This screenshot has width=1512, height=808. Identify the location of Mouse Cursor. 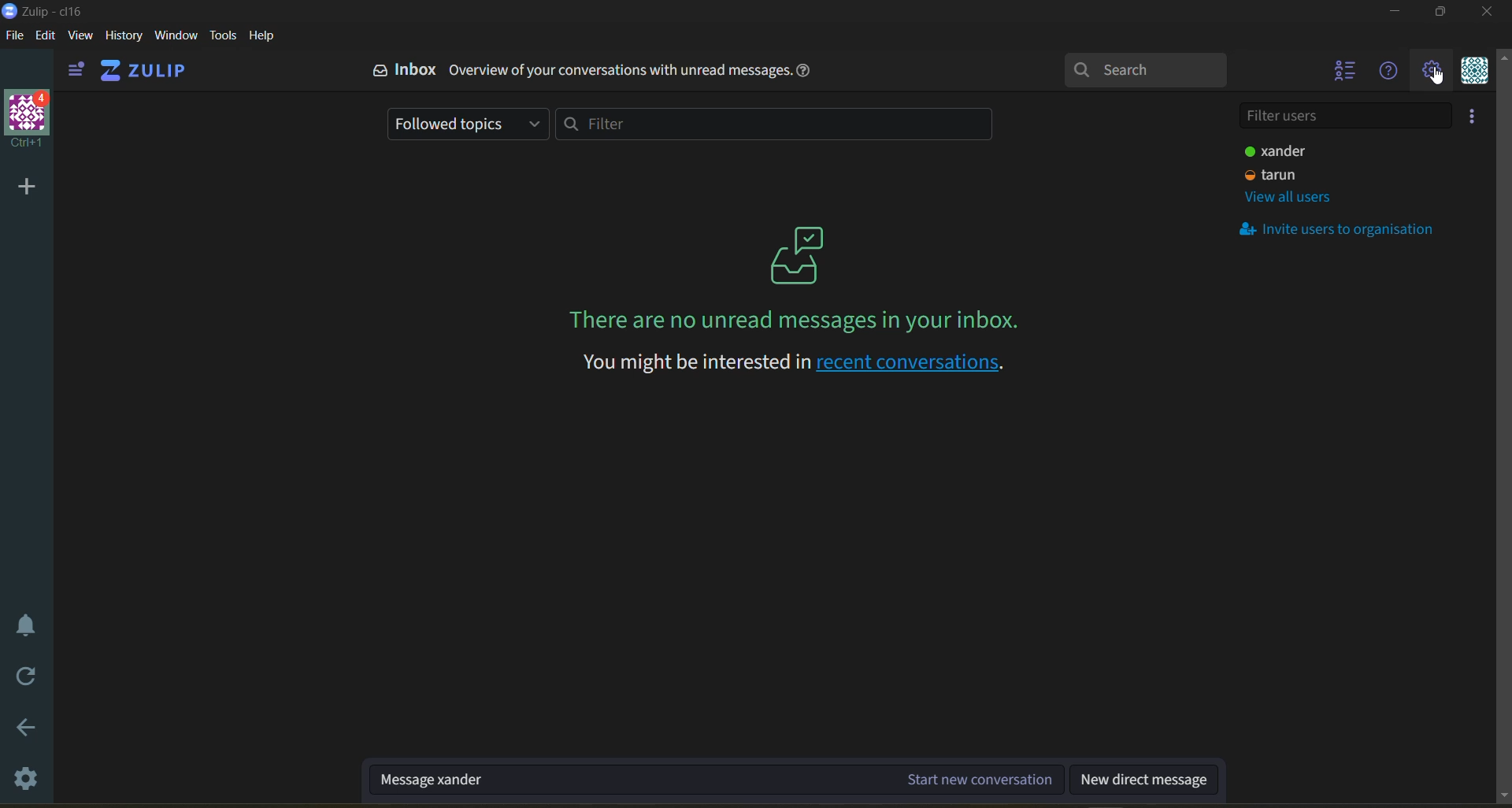
(1440, 76).